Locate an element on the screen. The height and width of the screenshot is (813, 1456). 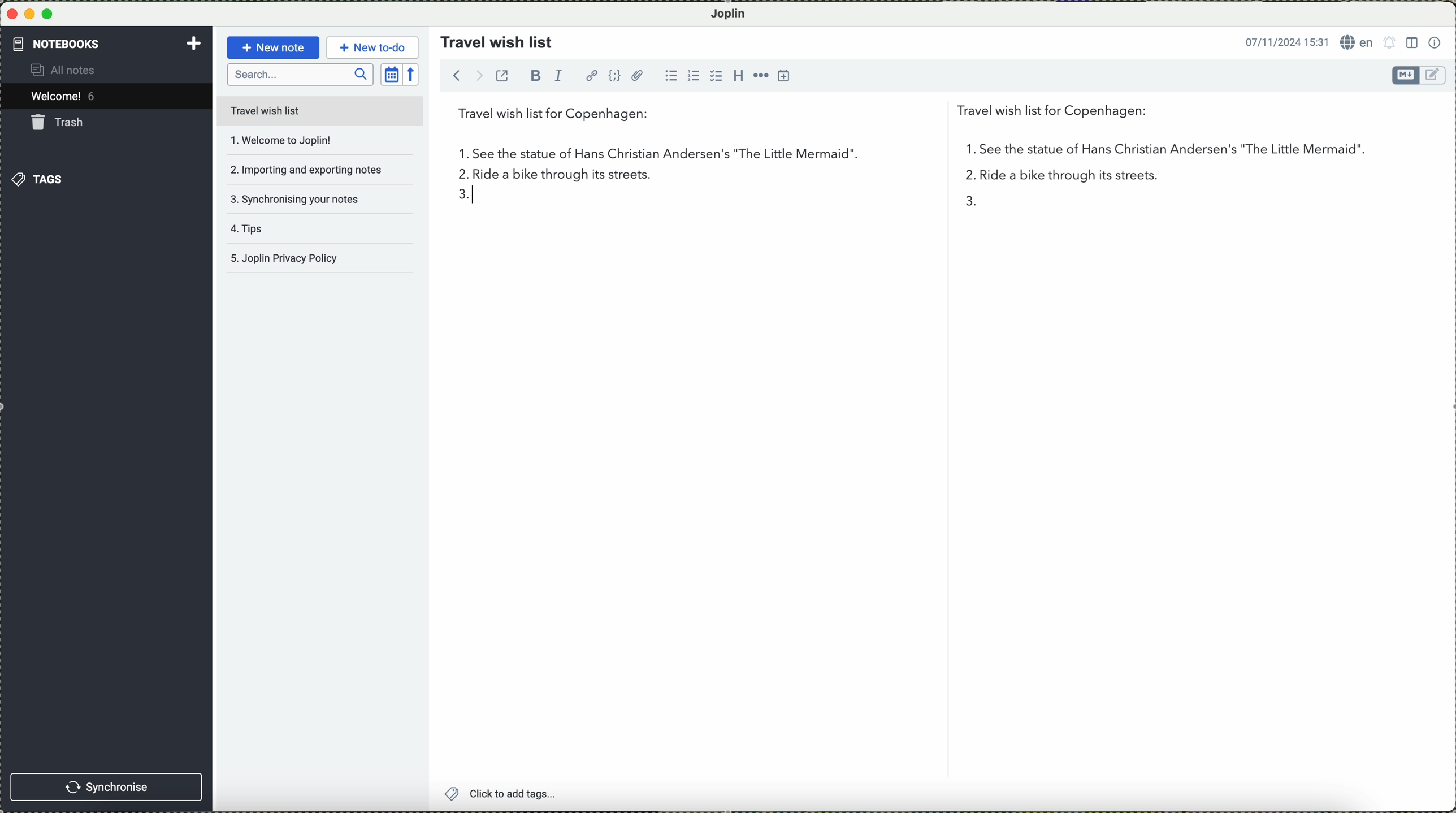
2 in the list is located at coordinates (1037, 178).